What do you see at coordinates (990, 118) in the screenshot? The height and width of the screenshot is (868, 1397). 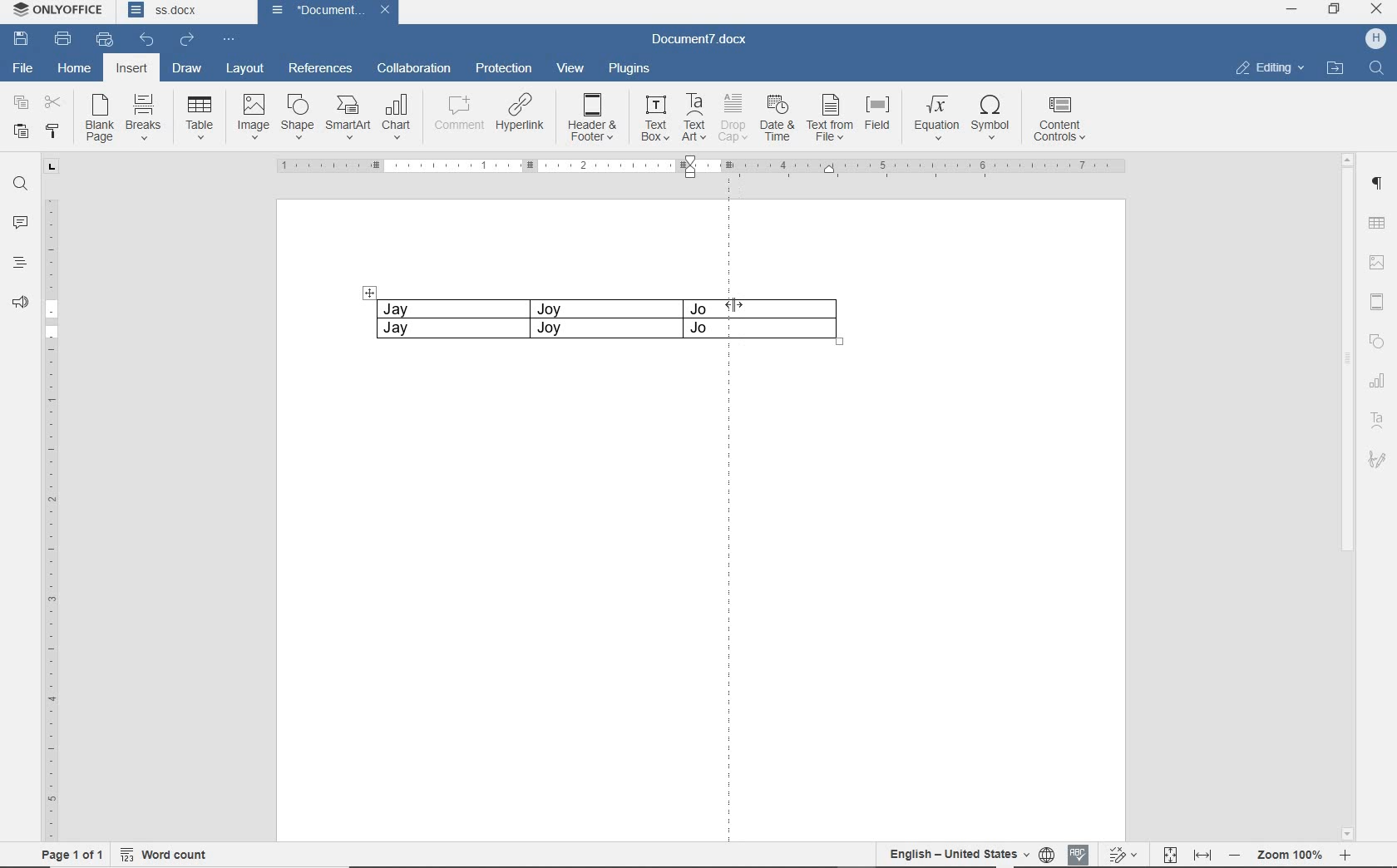 I see `SYMBOL` at bounding box center [990, 118].